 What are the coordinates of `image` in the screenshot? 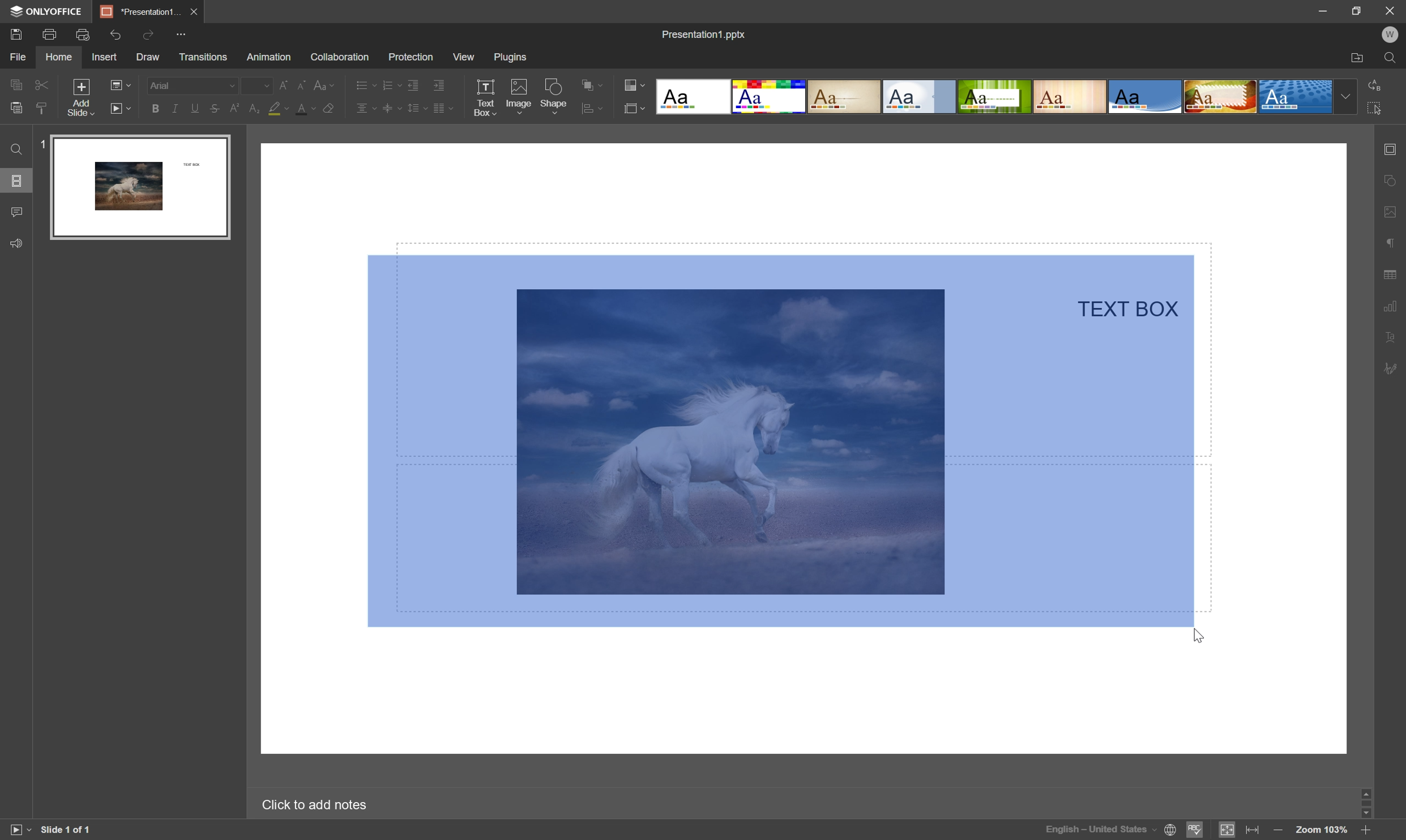 It's located at (518, 95).